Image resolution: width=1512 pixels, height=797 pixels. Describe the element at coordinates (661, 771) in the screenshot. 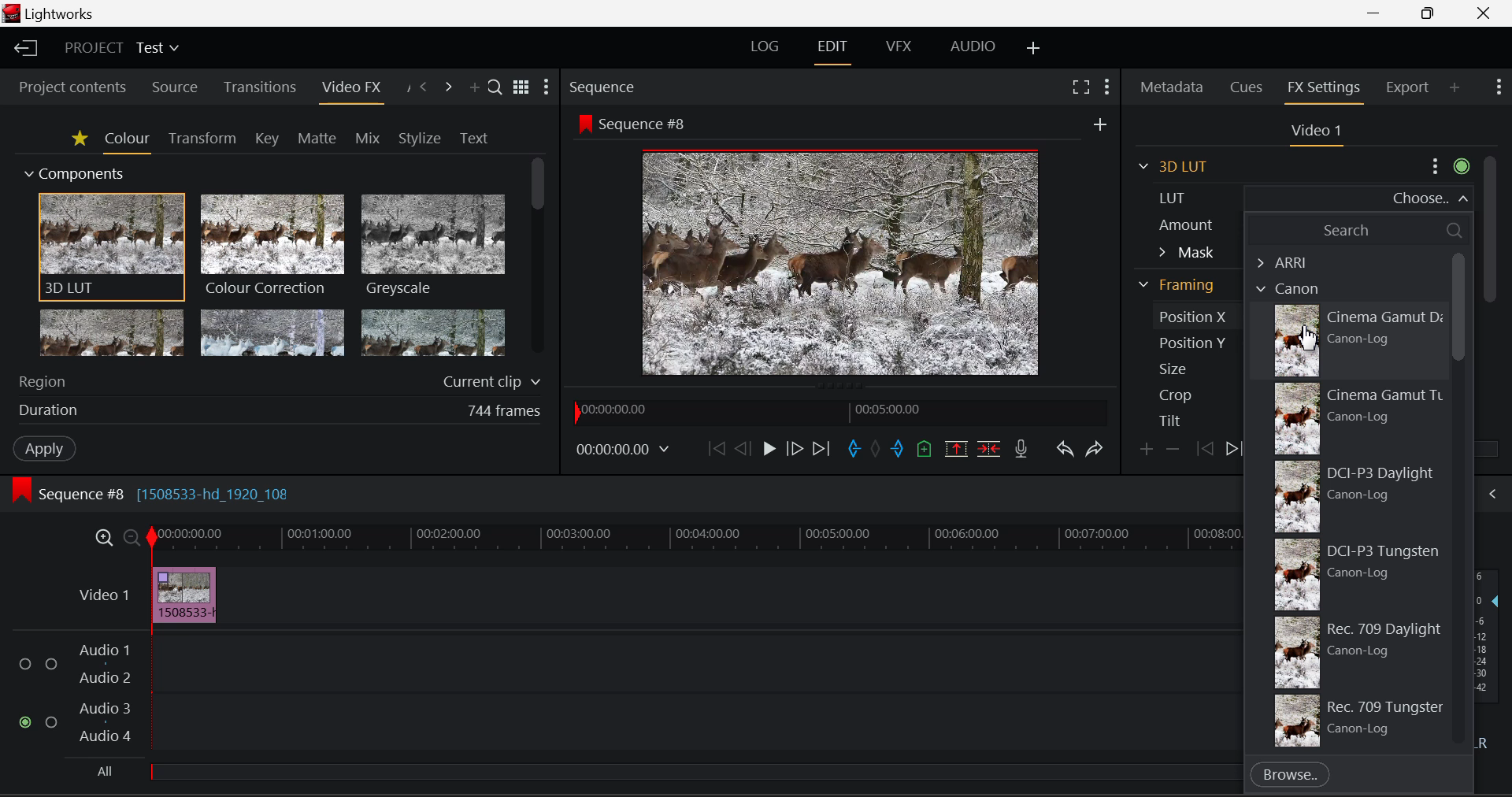

I see `All` at that location.